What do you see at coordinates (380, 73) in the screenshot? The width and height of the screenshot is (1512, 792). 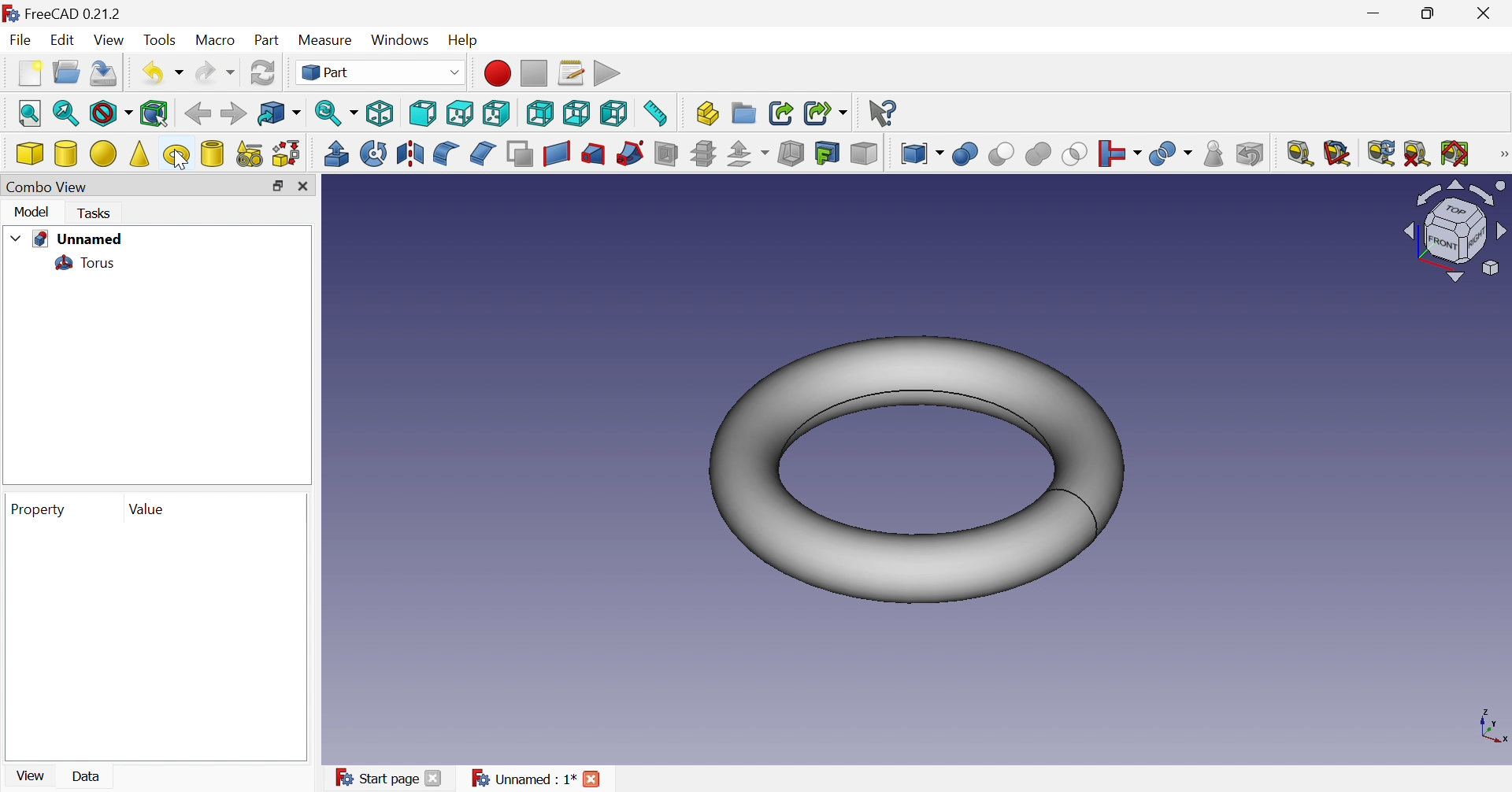 I see `Part` at bounding box center [380, 73].